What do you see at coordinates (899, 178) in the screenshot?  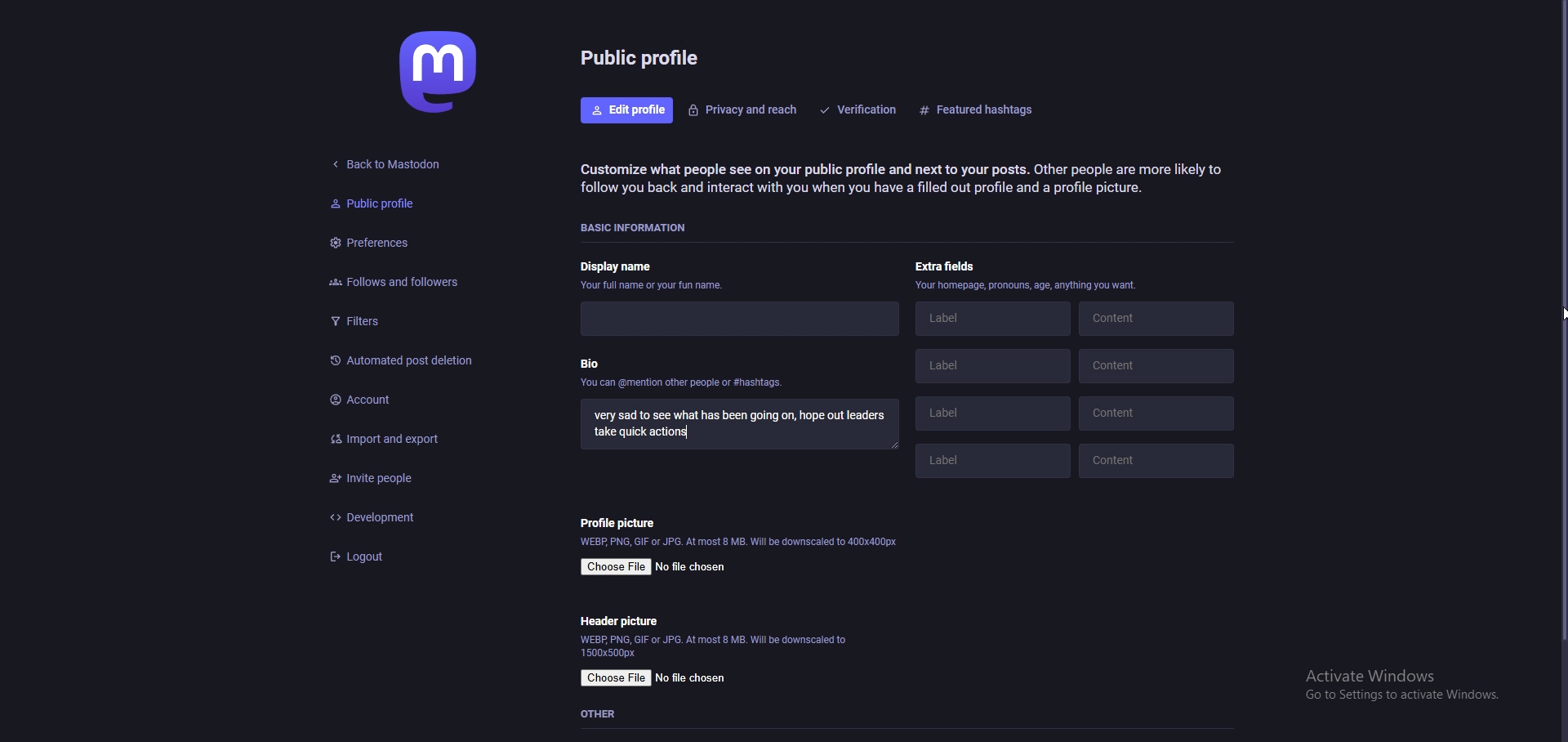 I see `info` at bounding box center [899, 178].